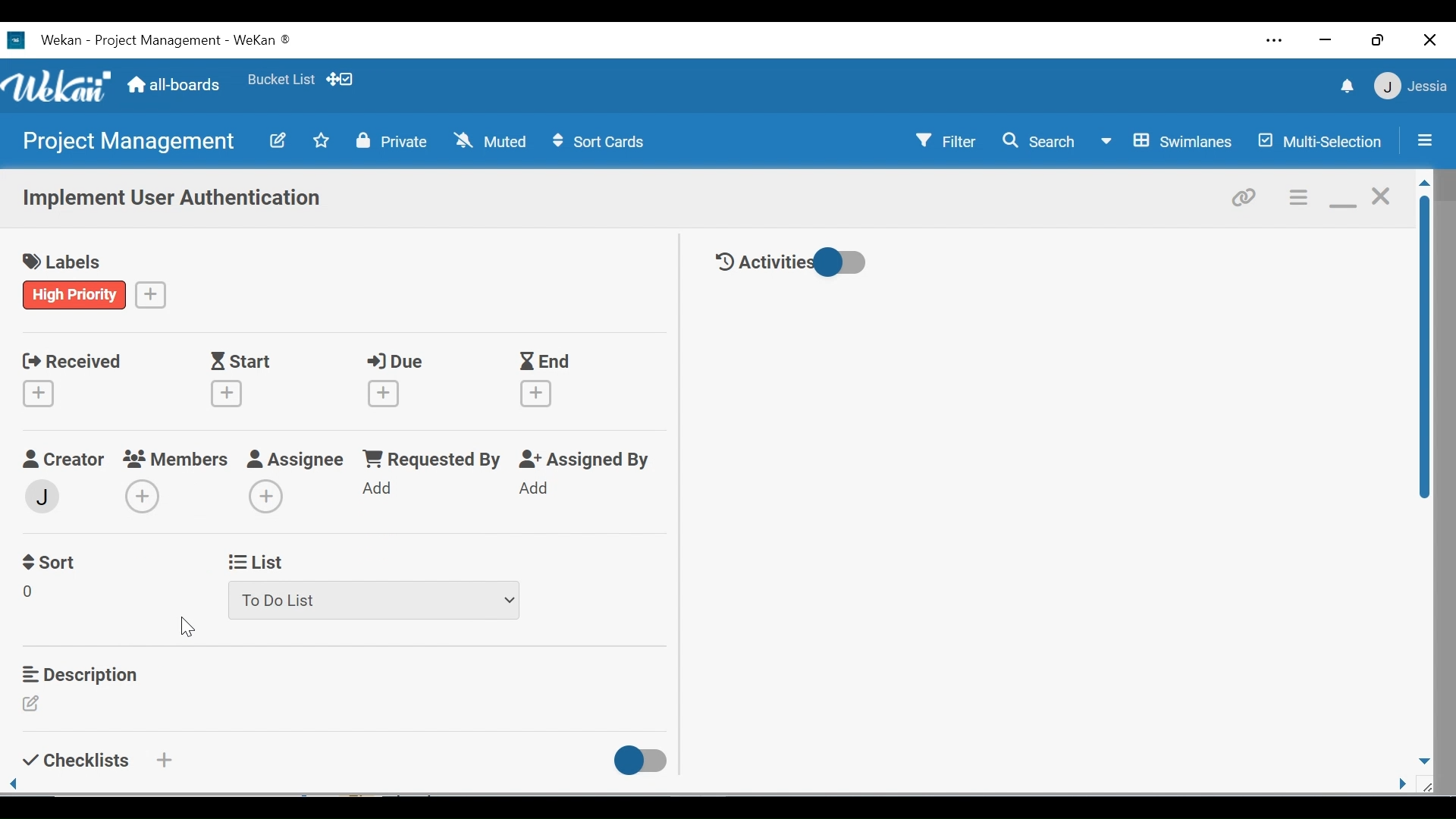 Image resolution: width=1456 pixels, height=819 pixels. What do you see at coordinates (170, 201) in the screenshot?
I see `Implement User Authentication` at bounding box center [170, 201].